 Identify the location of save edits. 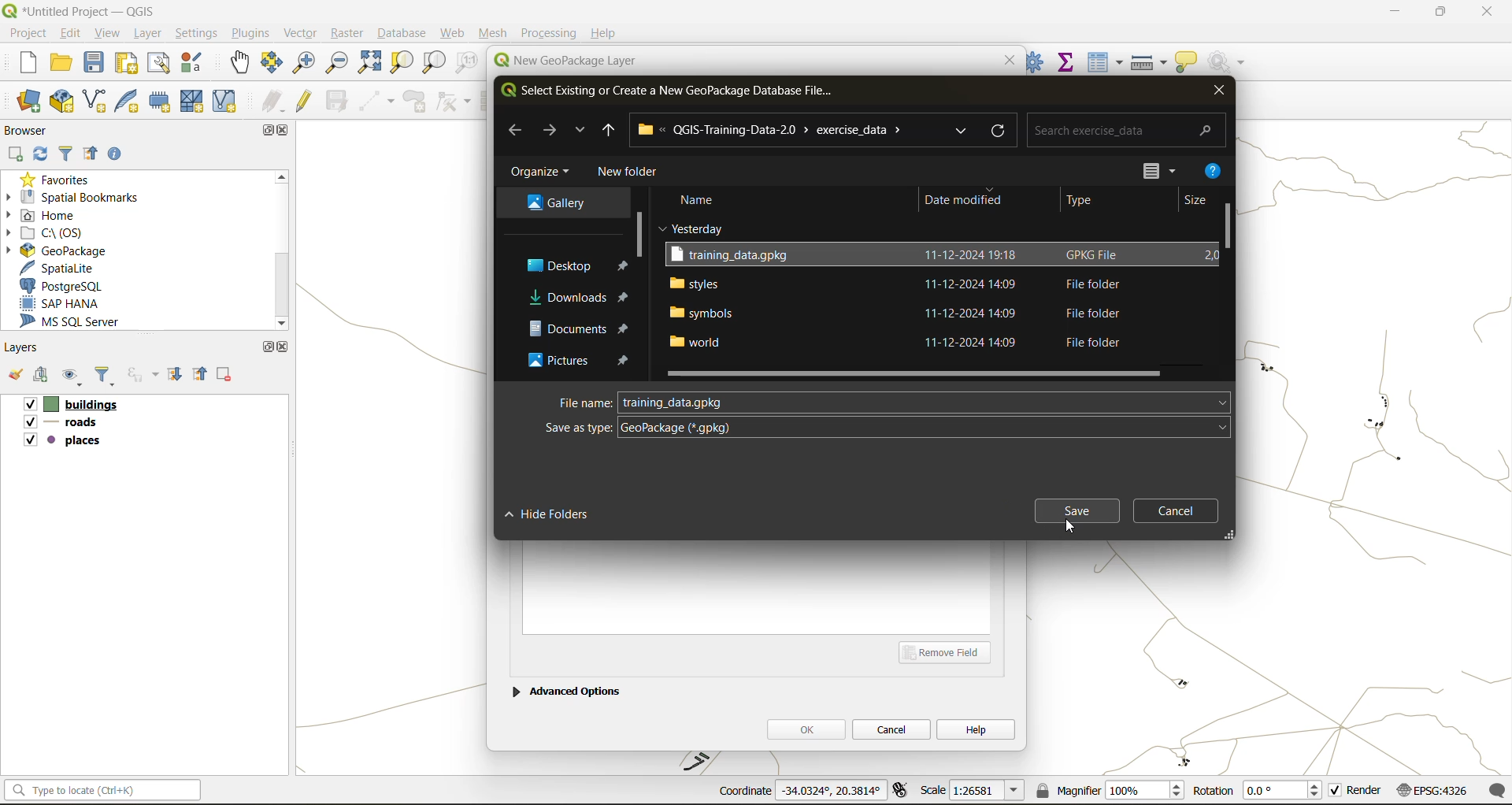
(339, 101).